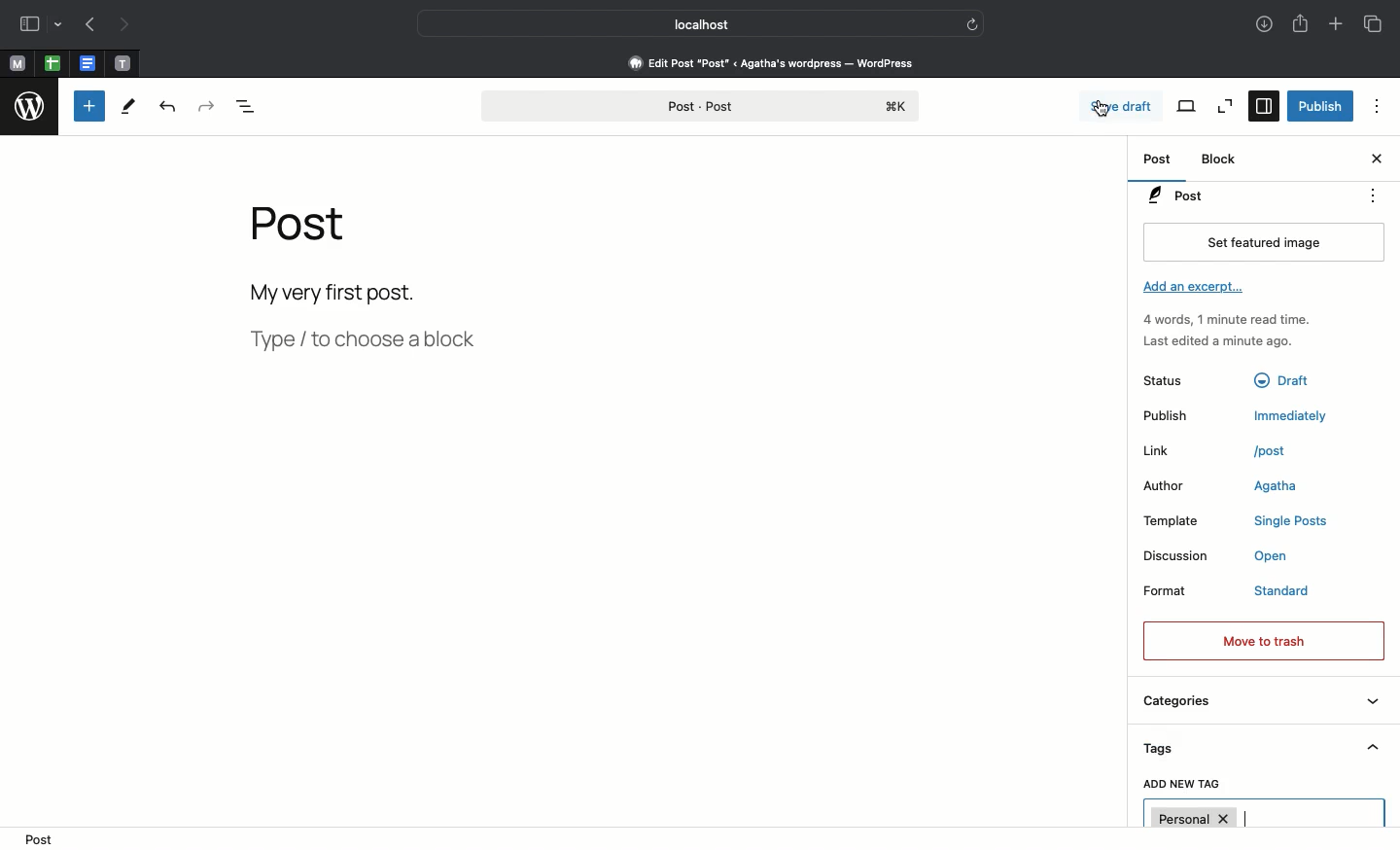 Image resolution: width=1400 pixels, height=850 pixels. I want to click on Categories, so click(1259, 705).